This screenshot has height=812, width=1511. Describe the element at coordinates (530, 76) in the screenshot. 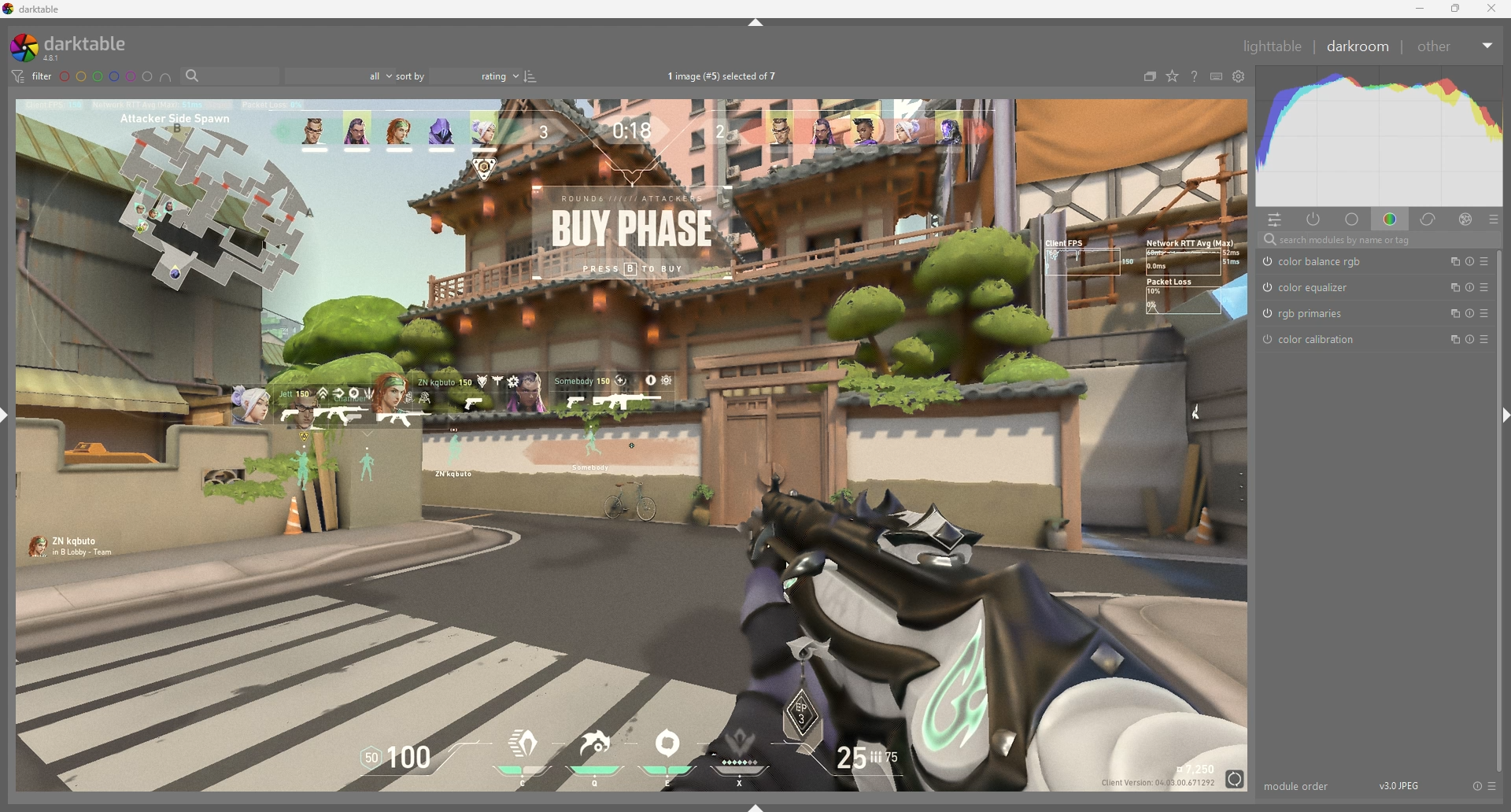

I see `reverse sort order` at that location.